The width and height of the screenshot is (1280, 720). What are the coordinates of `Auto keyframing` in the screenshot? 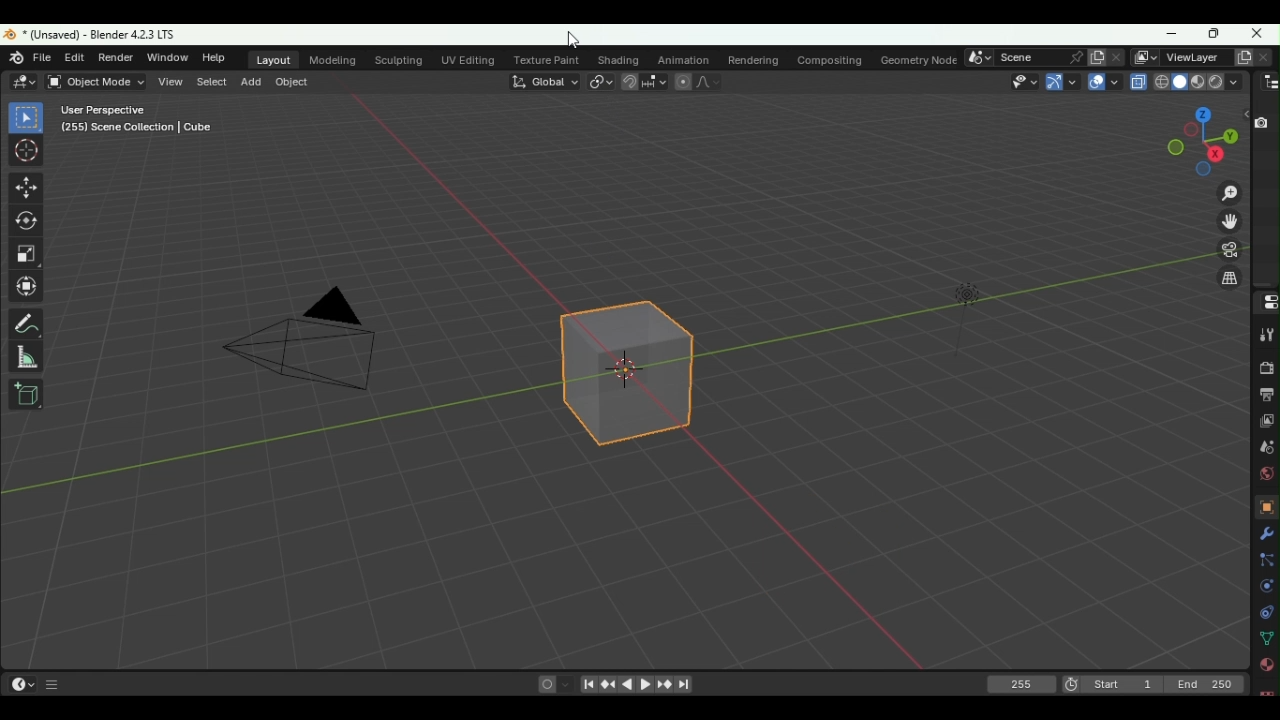 It's located at (567, 683).